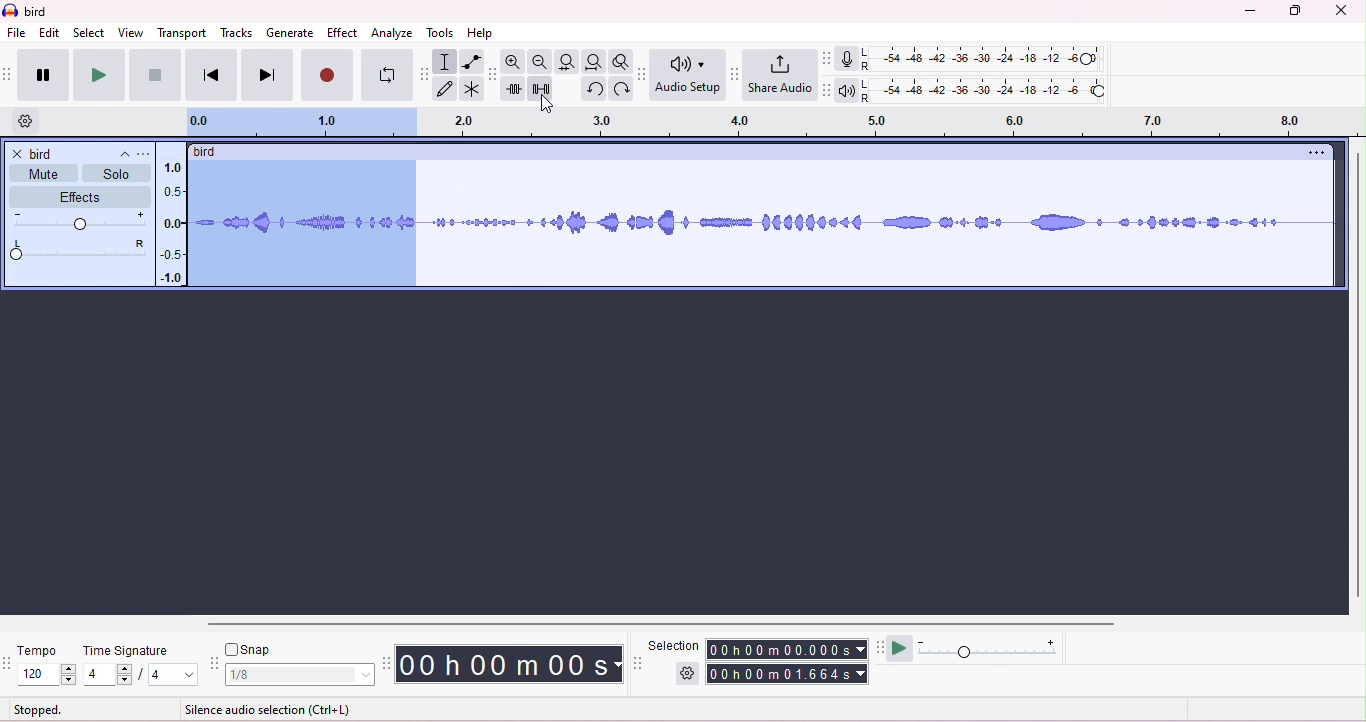  What do you see at coordinates (88, 33) in the screenshot?
I see `select` at bounding box center [88, 33].